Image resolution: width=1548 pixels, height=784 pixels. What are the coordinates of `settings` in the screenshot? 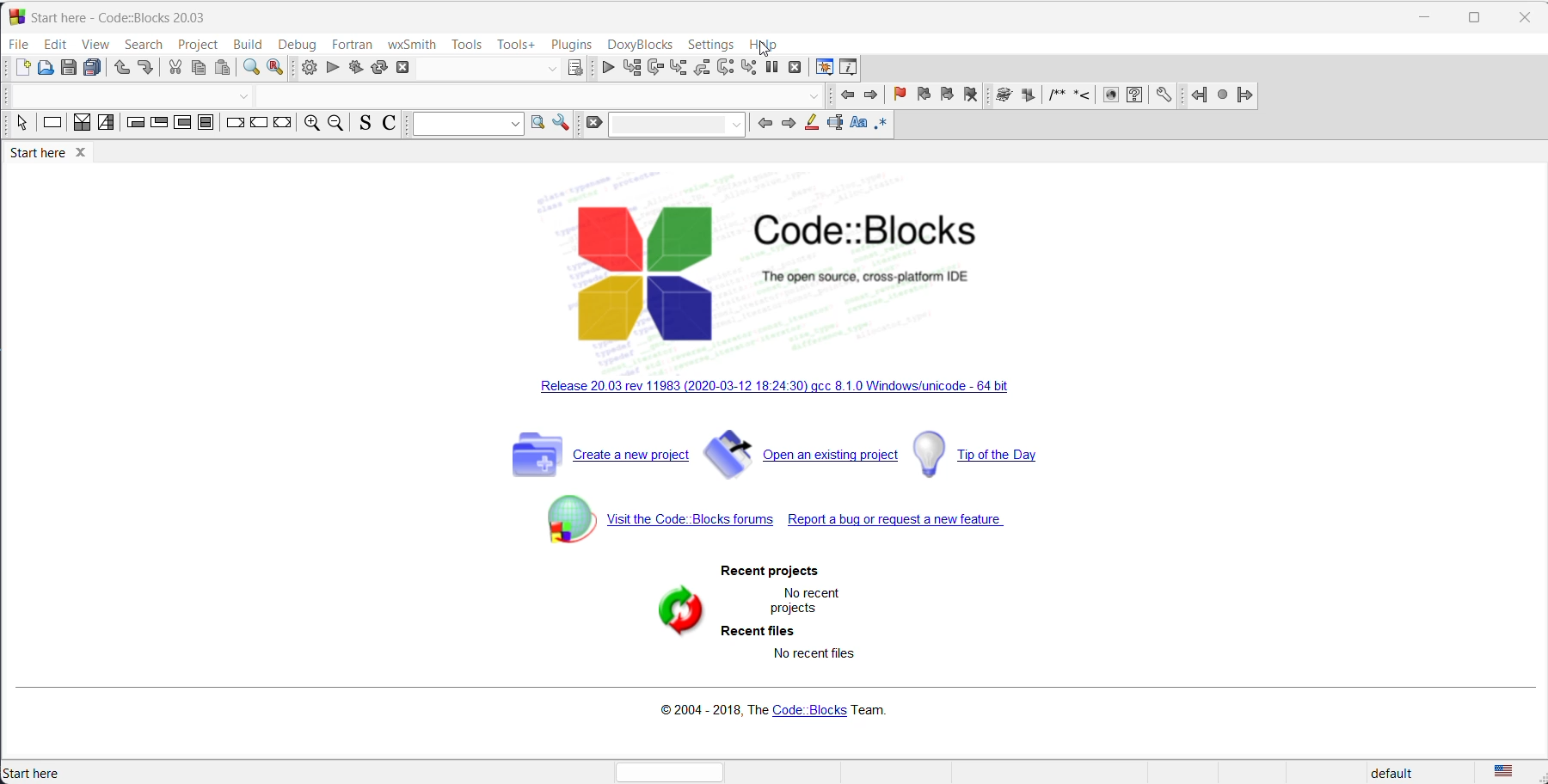 It's located at (709, 46).